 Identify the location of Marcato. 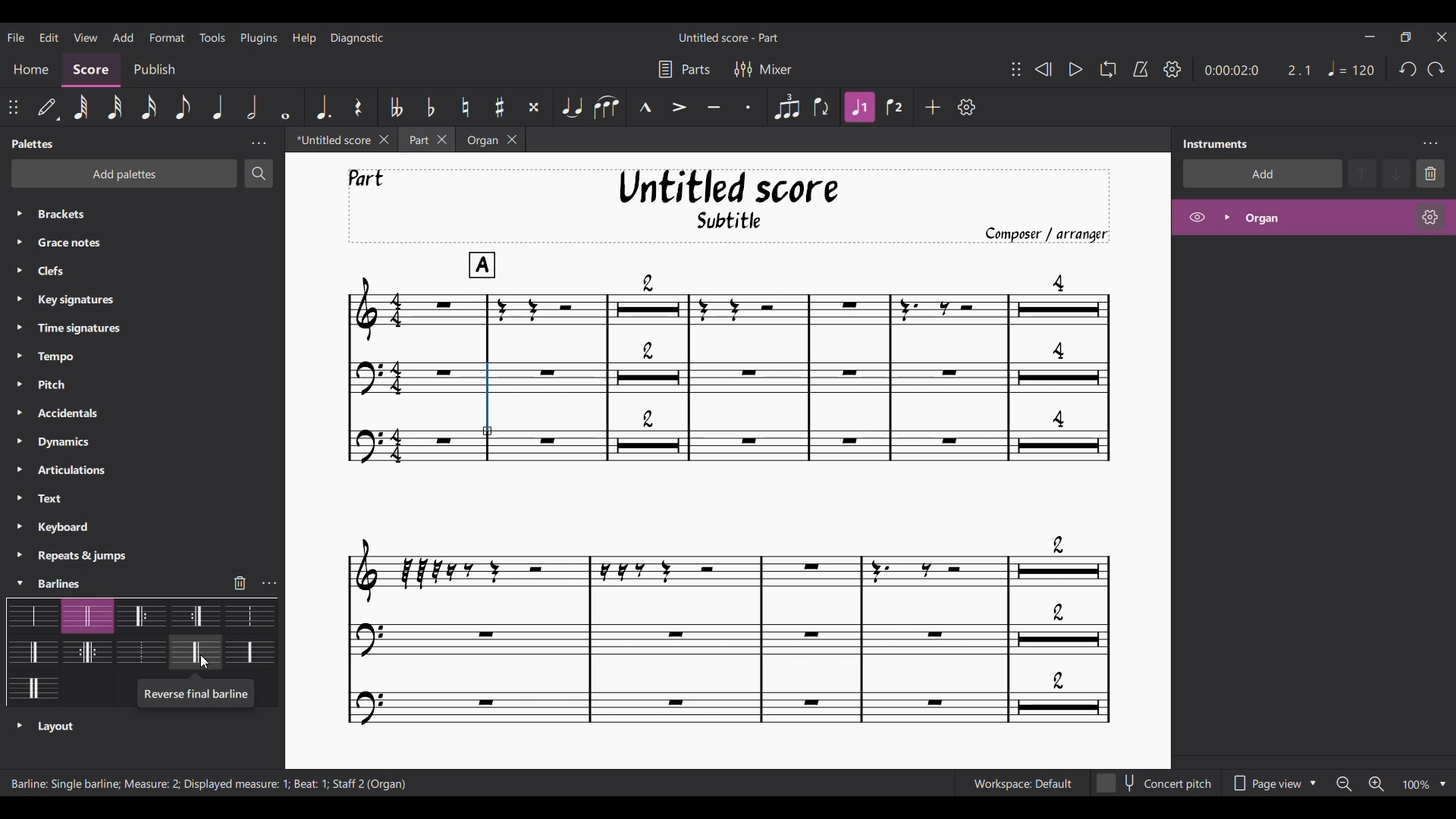
(645, 107).